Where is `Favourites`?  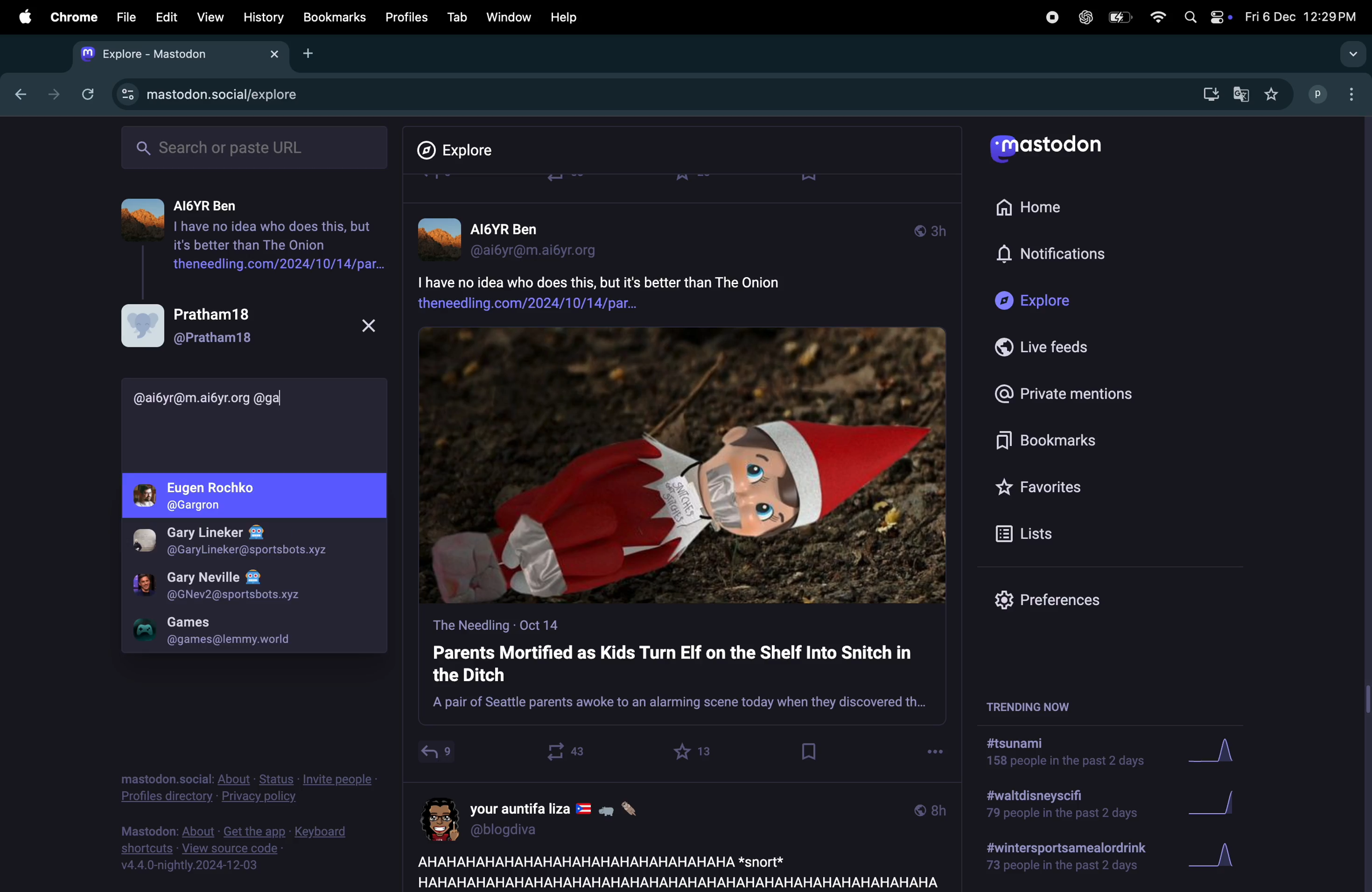
Favourites is located at coordinates (1042, 486).